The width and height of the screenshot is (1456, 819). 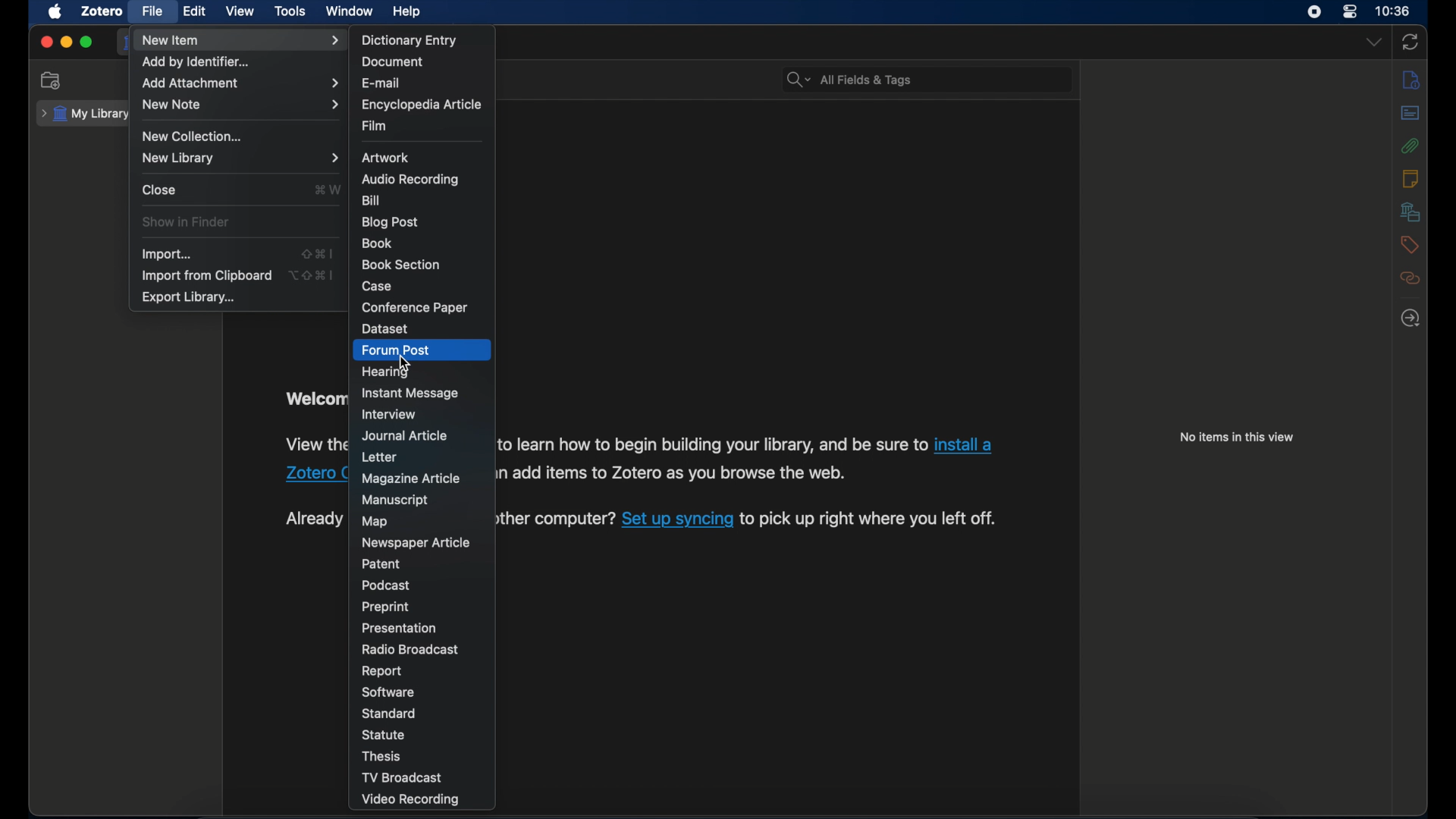 What do you see at coordinates (54, 11) in the screenshot?
I see `apple` at bounding box center [54, 11].